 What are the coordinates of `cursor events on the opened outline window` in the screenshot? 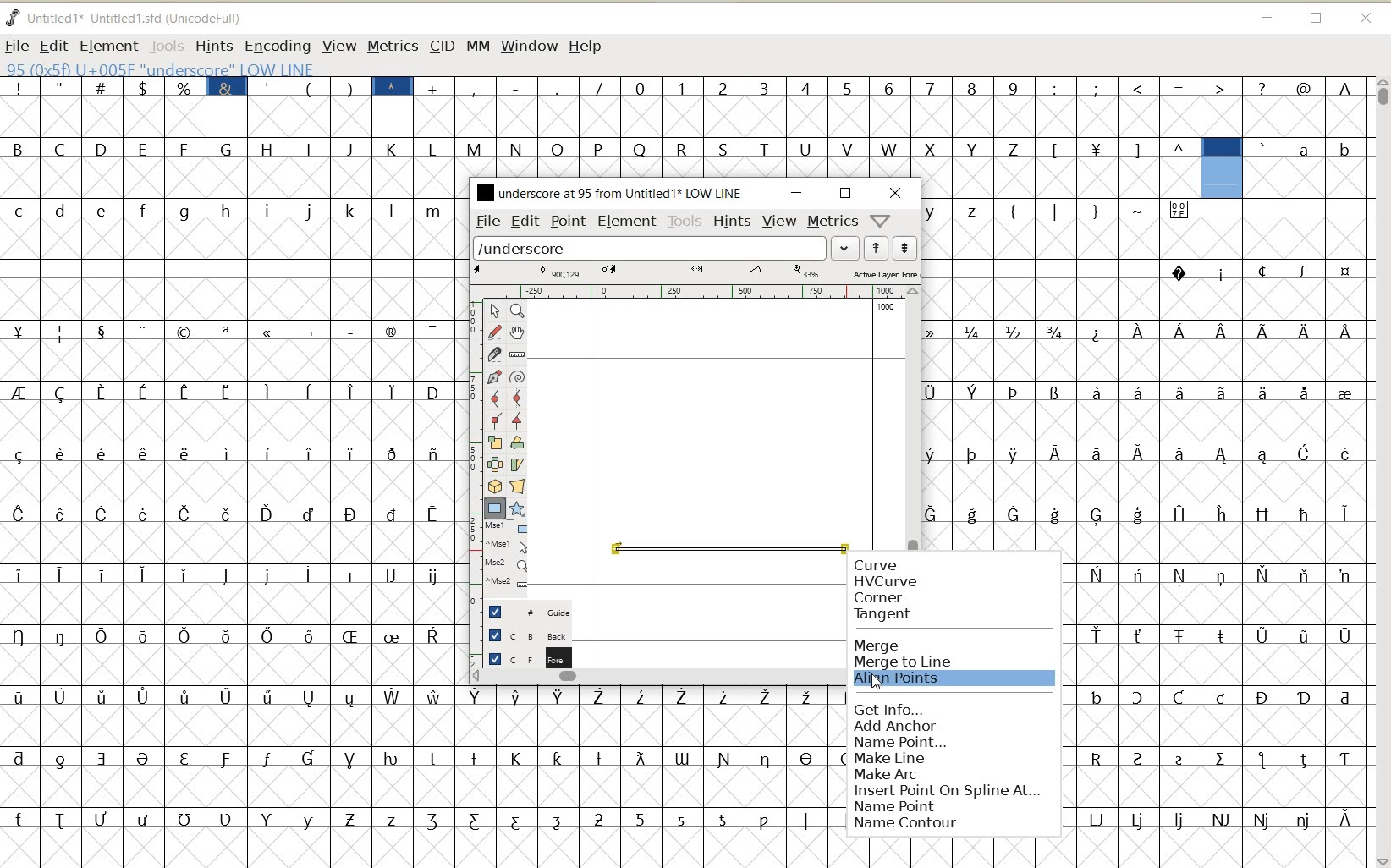 It's located at (507, 556).